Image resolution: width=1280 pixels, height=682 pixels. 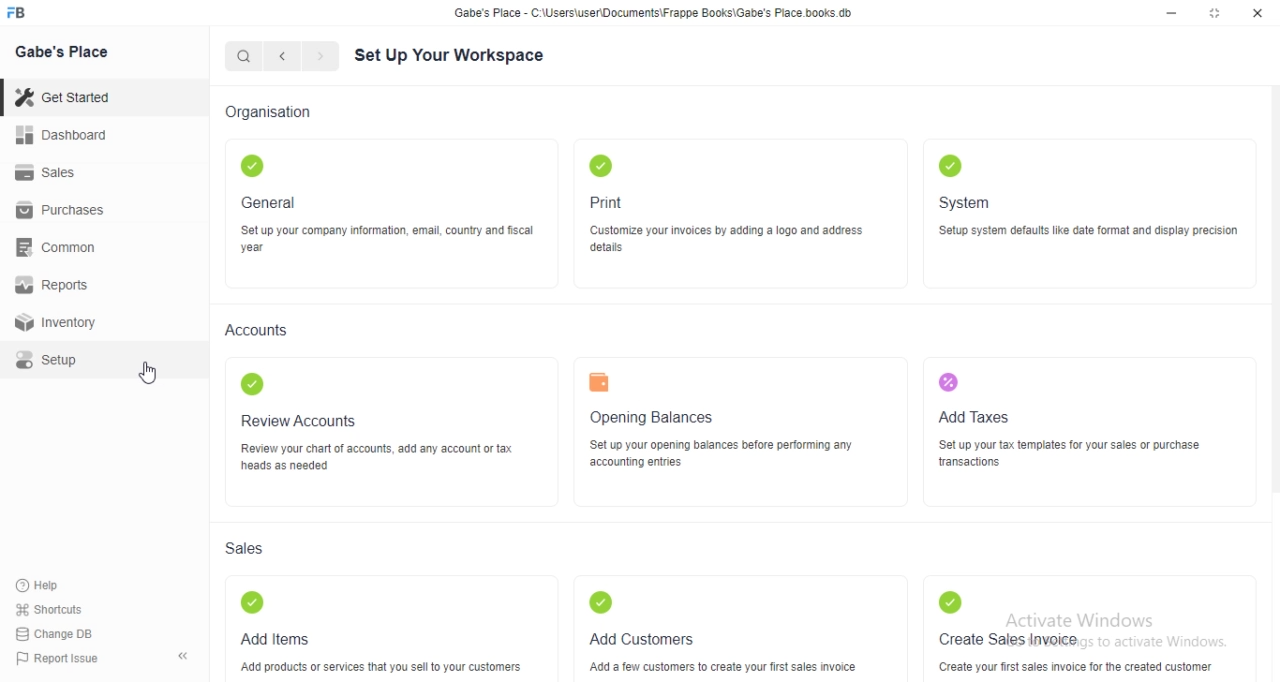 What do you see at coordinates (53, 583) in the screenshot?
I see `?Help` at bounding box center [53, 583].